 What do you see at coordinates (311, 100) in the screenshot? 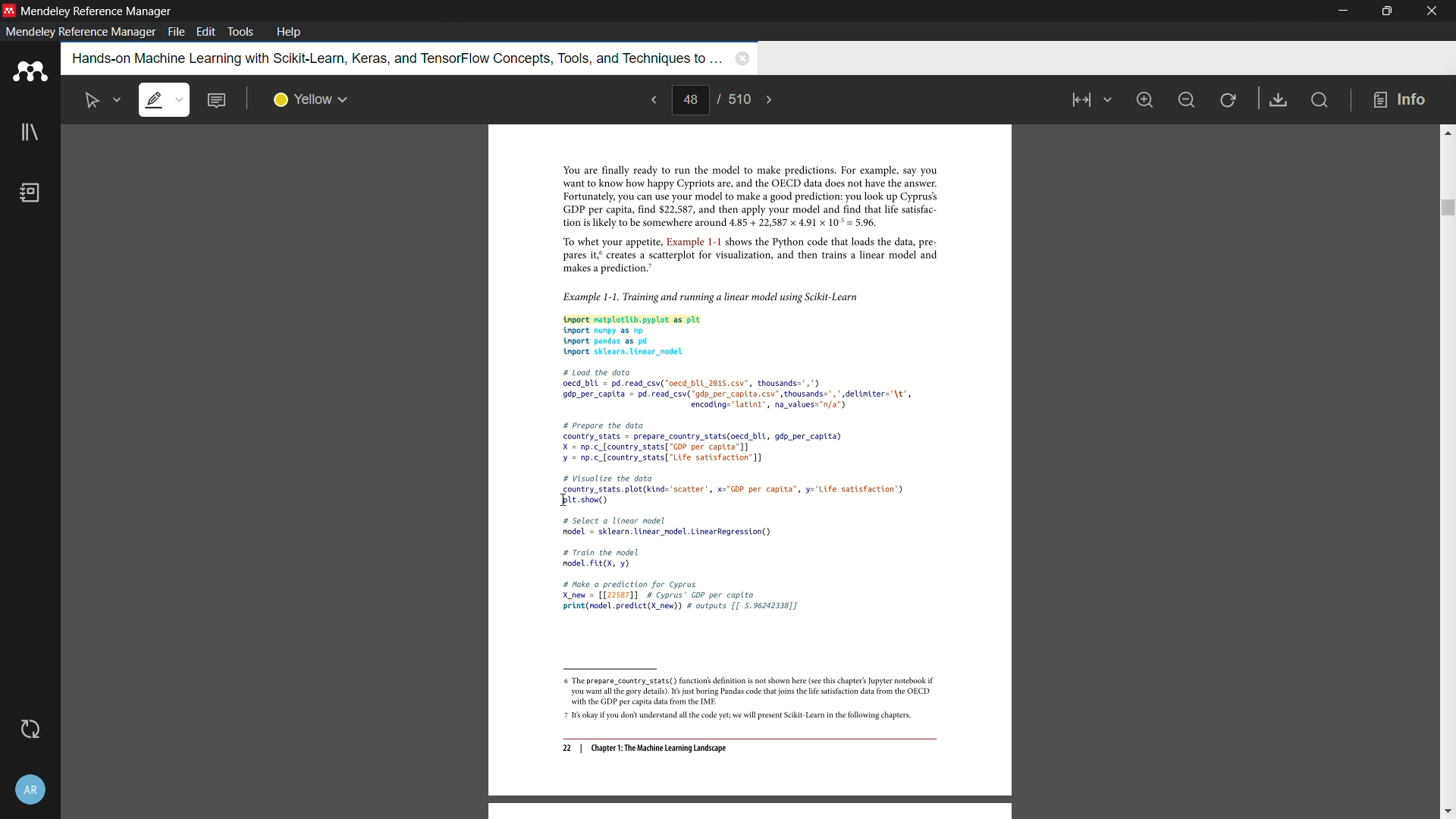
I see `highlight color` at bounding box center [311, 100].